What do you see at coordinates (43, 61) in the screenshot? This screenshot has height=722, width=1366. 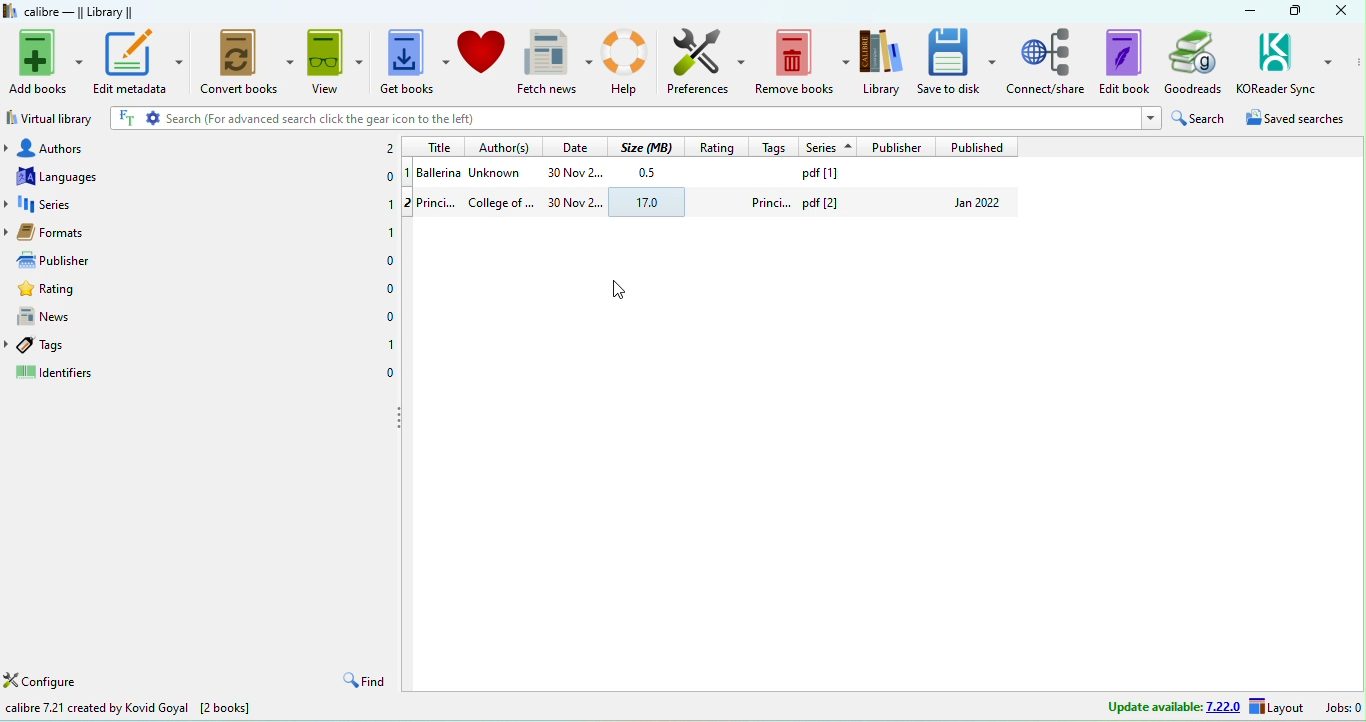 I see `Add books` at bounding box center [43, 61].